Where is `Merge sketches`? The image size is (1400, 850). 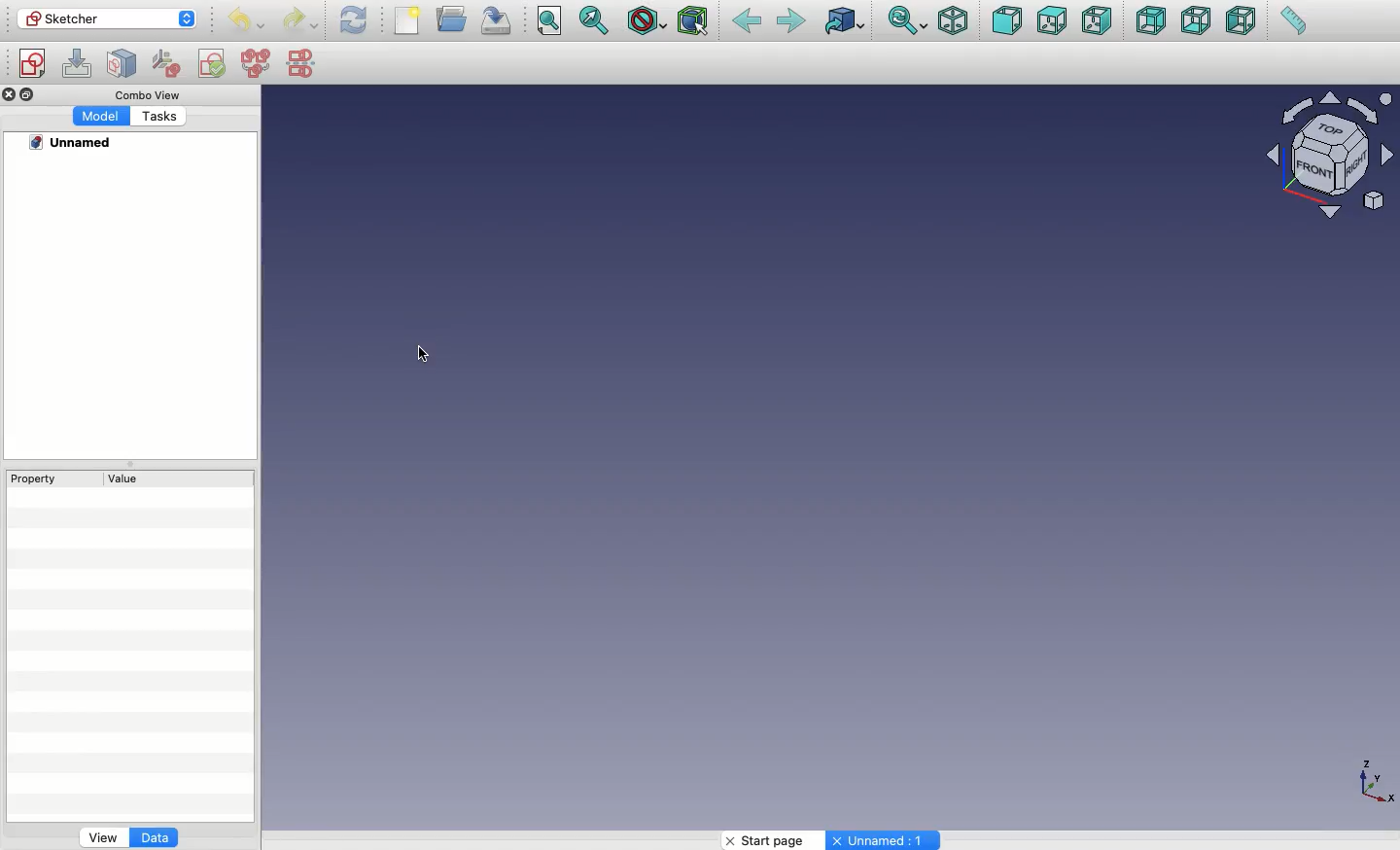 Merge sketches is located at coordinates (256, 64).